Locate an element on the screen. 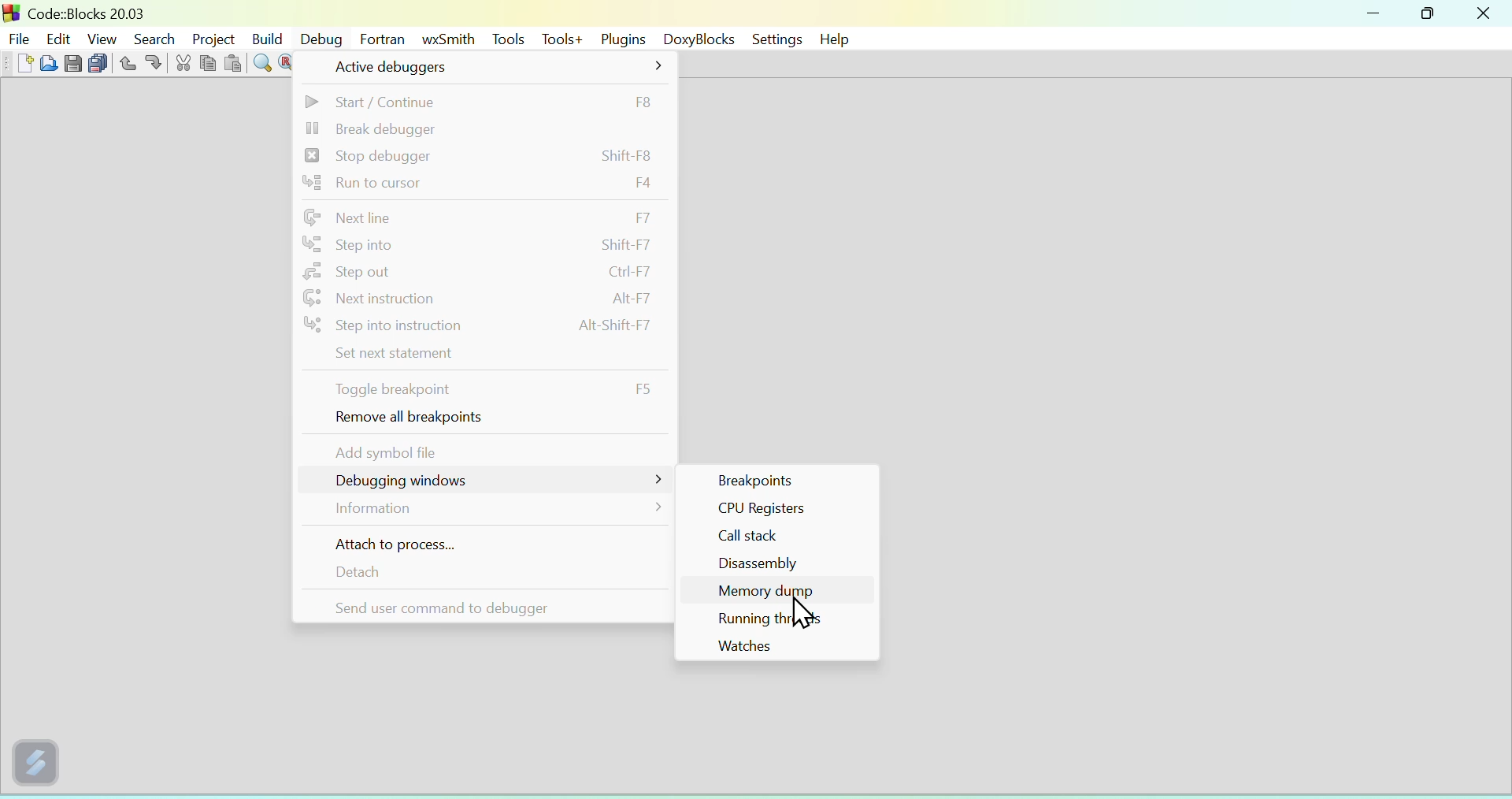  information is located at coordinates (480, 512).